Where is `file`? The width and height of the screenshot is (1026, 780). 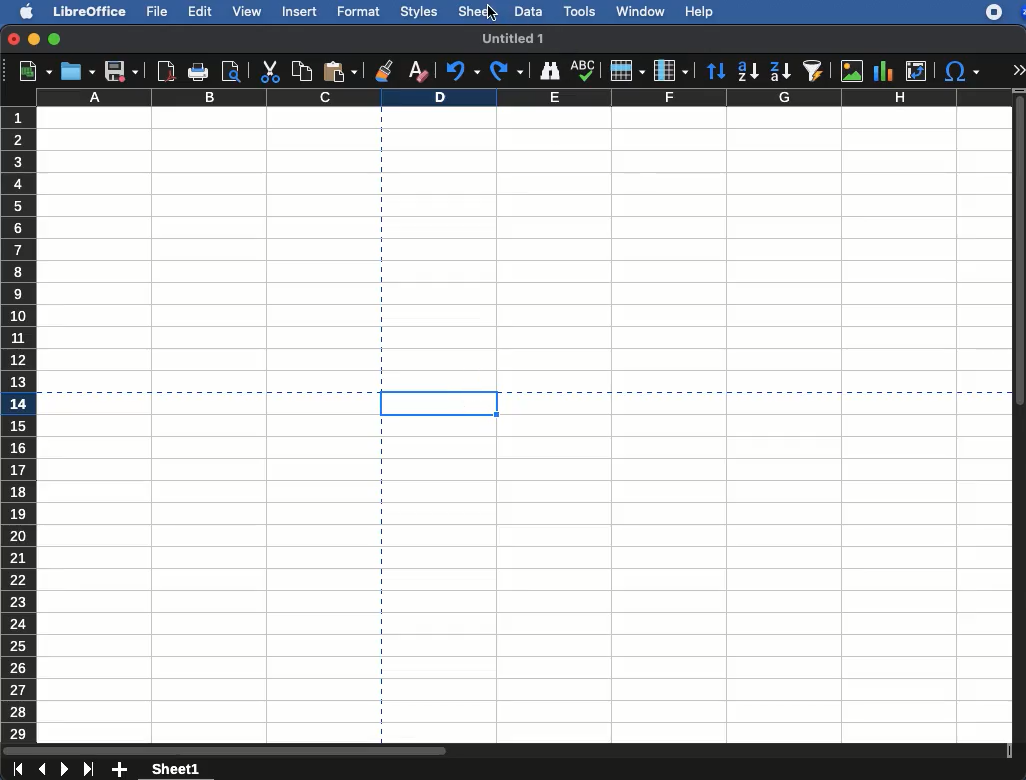 file is located at coordinates (155, 11).